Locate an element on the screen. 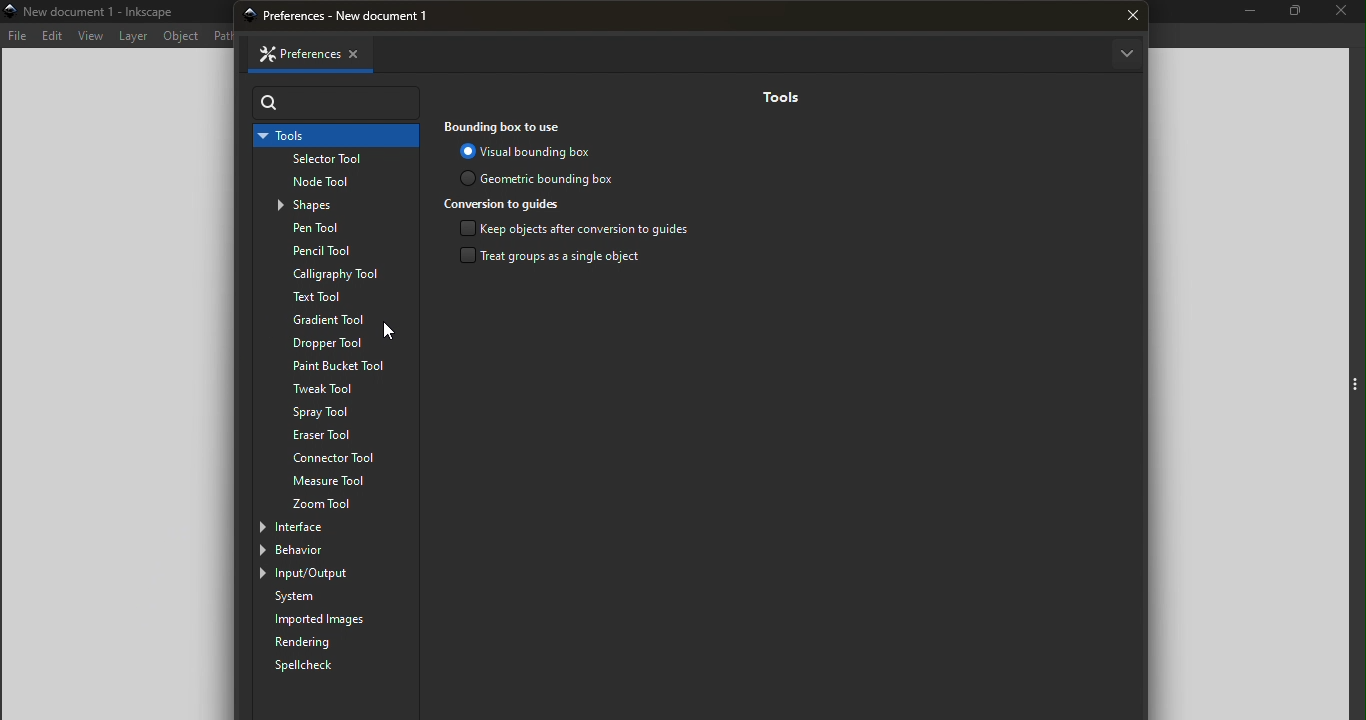 The height and width of the screenshot is (720, 1366). close is located at coordinates (1133, 16).